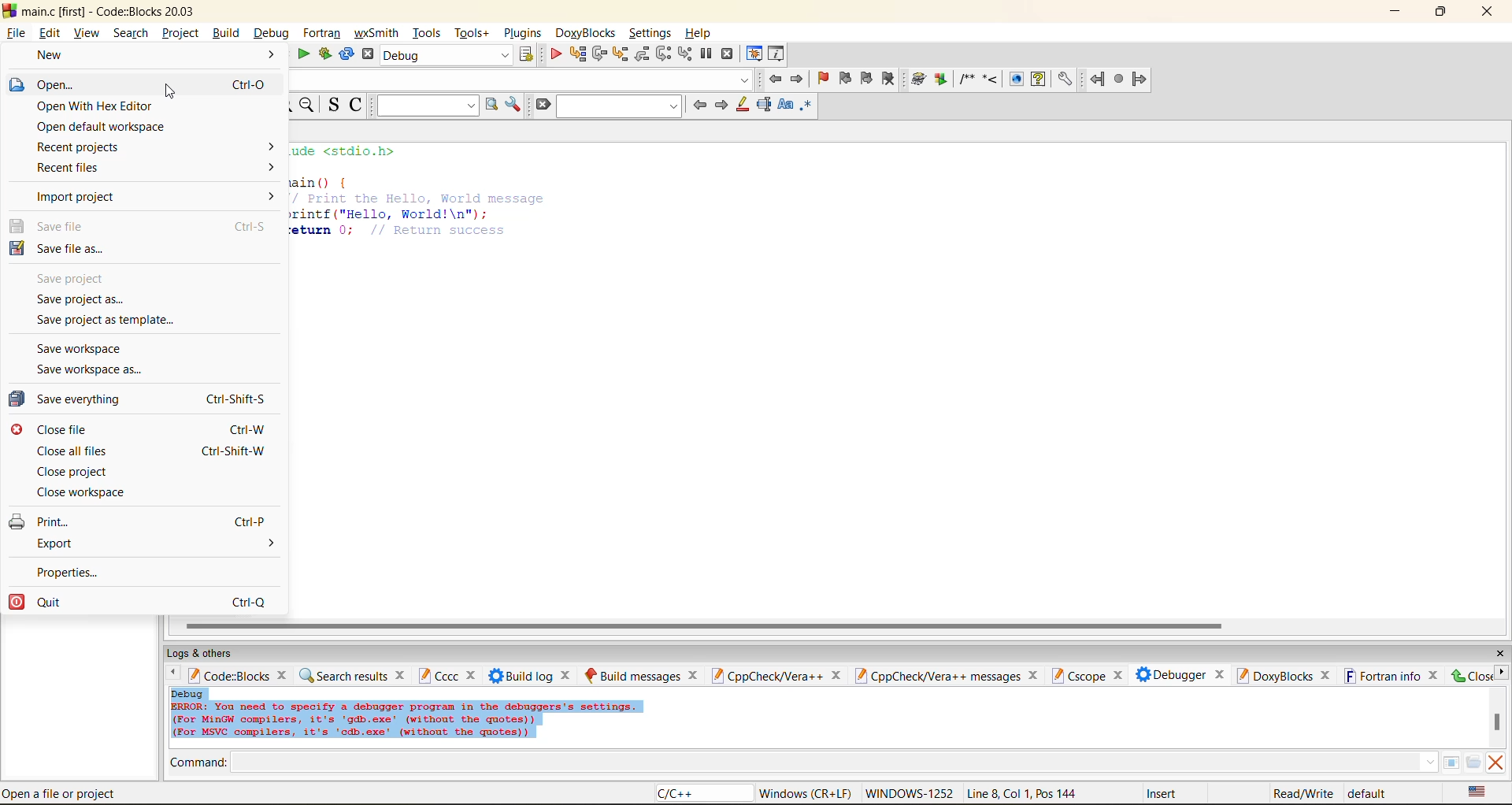  Describe the element at coordinates (706, 54) in the screenshot. I see `break debugger` at that location.